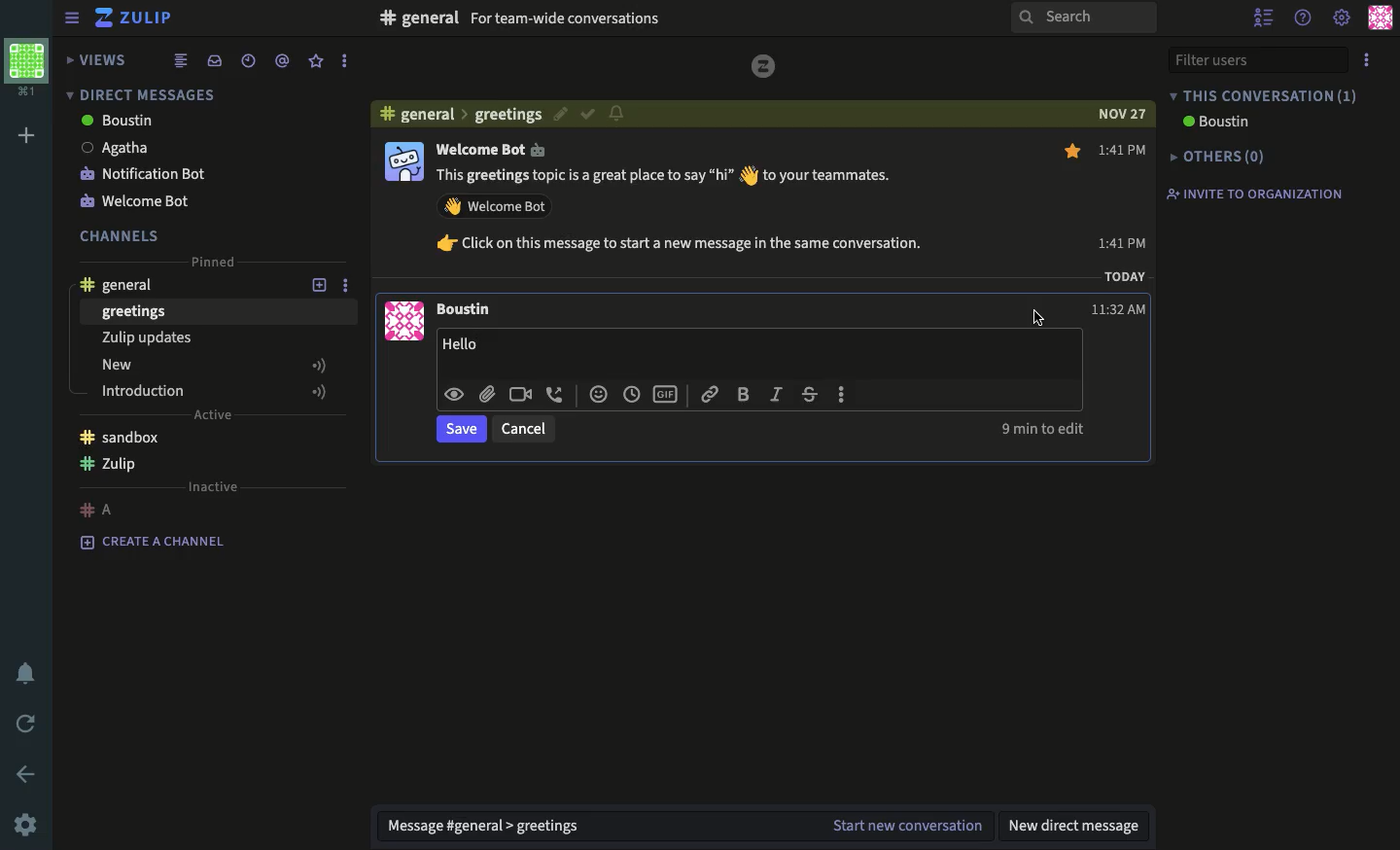 The image size is (1400, 850). What do you see at coordinates (23, 722) in the screenshot?
I see `refresh` at bounding box center [23, 722].